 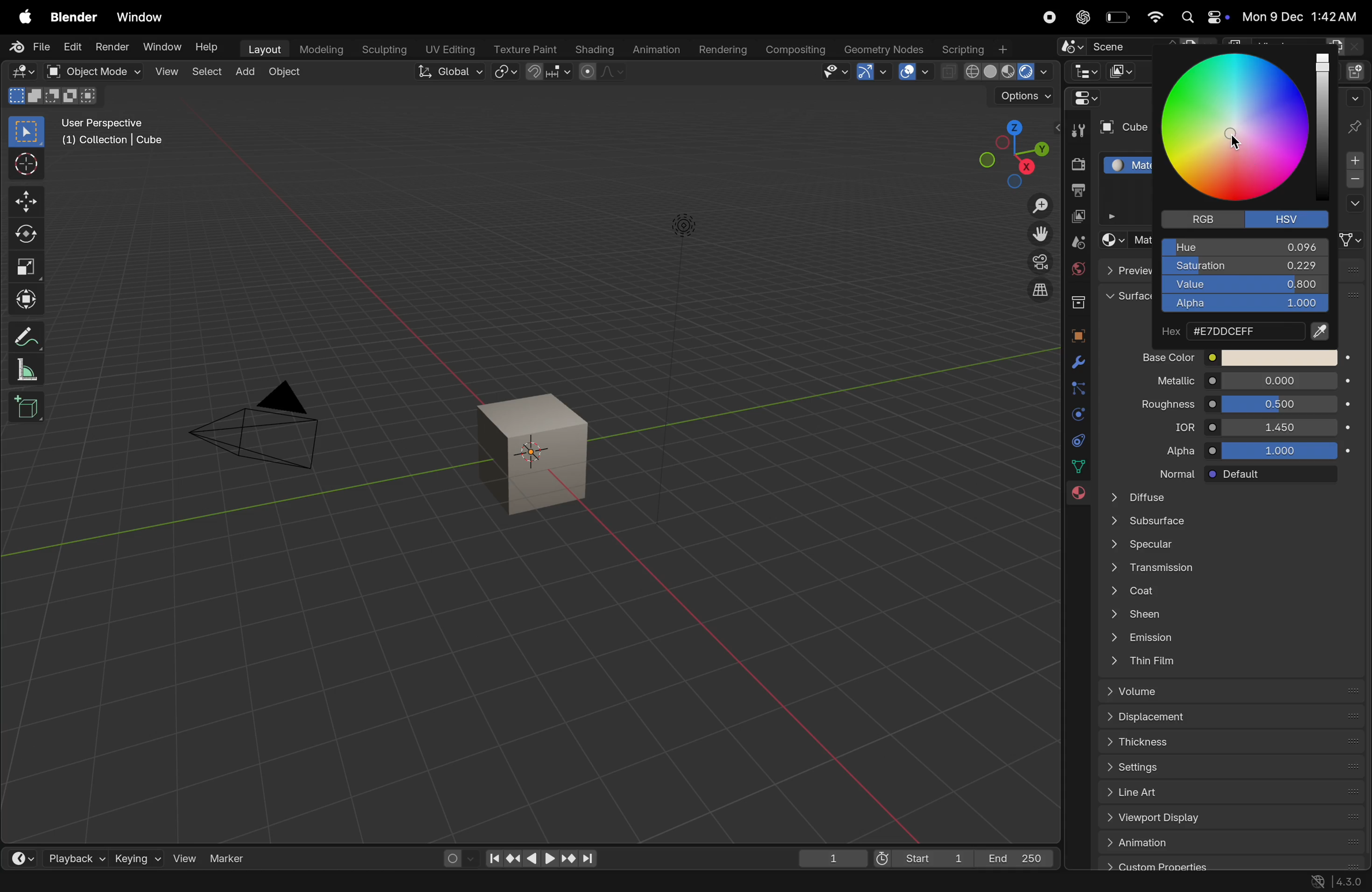 What do you see at coordinates (73, 46) in the screenshot?
I see `Edit` at bounding box center [73, 46].